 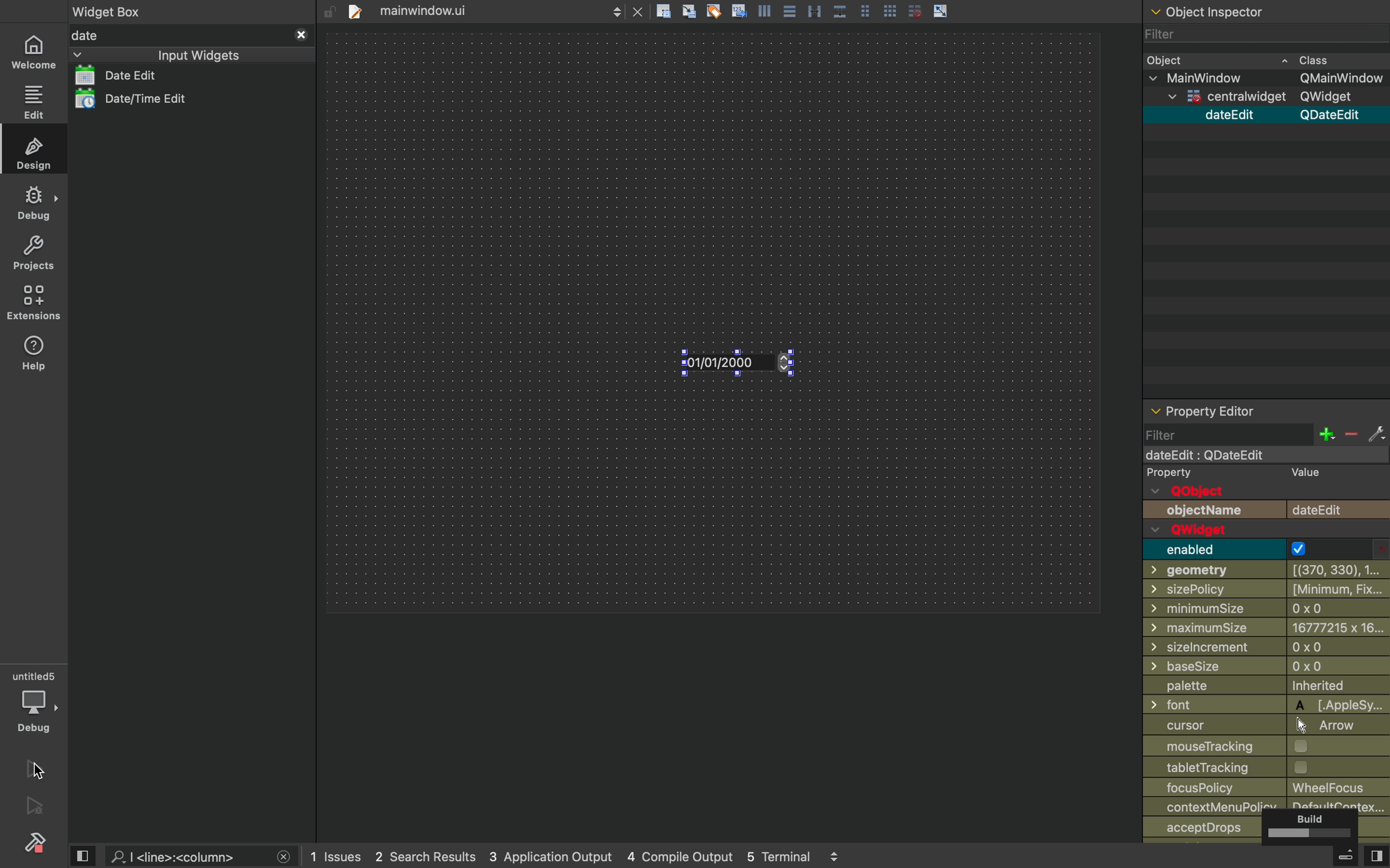 What do you see at coordinates (1252, 59) in the screenshot?
I see `object` at bounding box center [1252, 59].